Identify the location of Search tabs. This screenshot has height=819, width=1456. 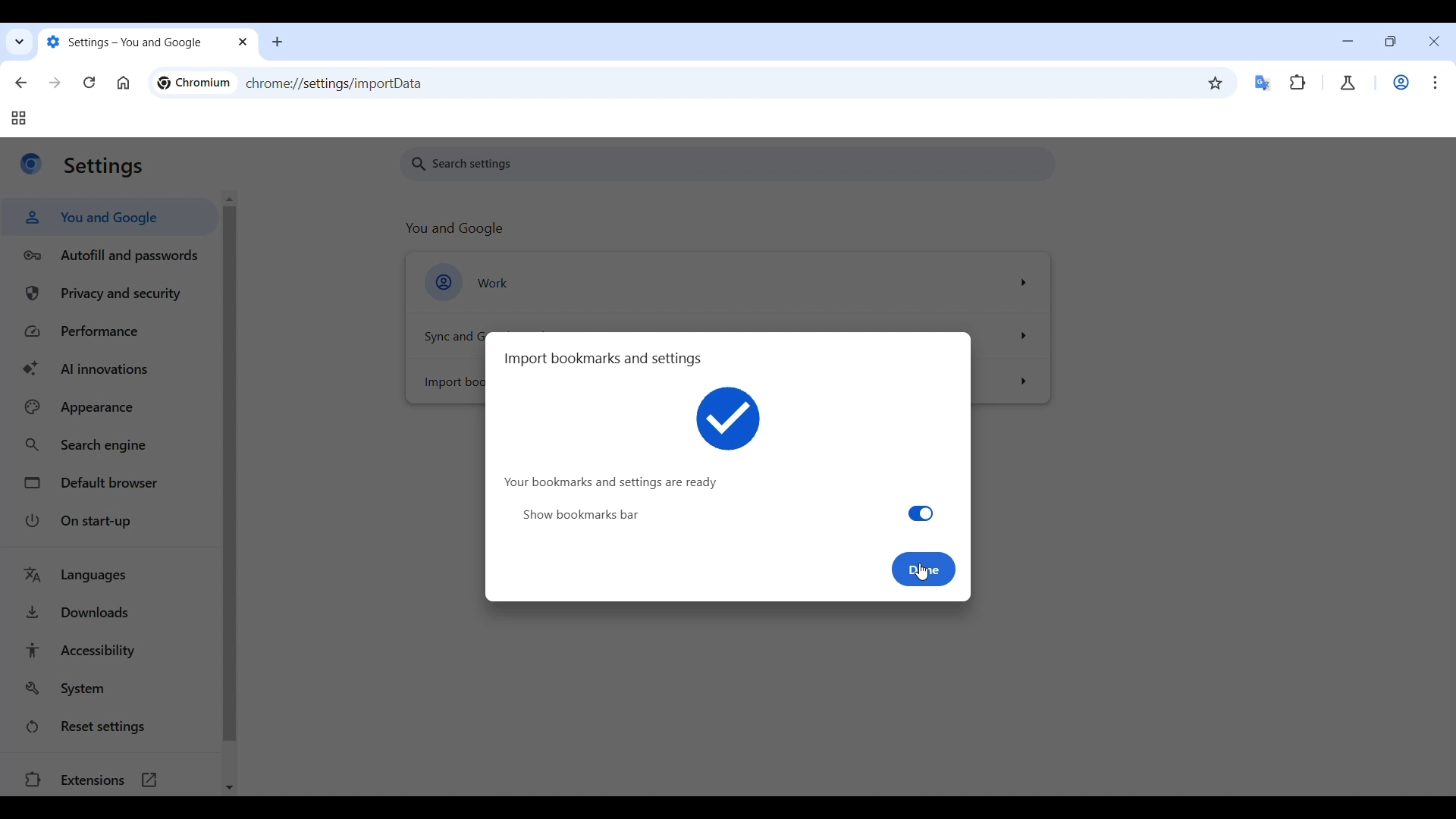
(20, 42).